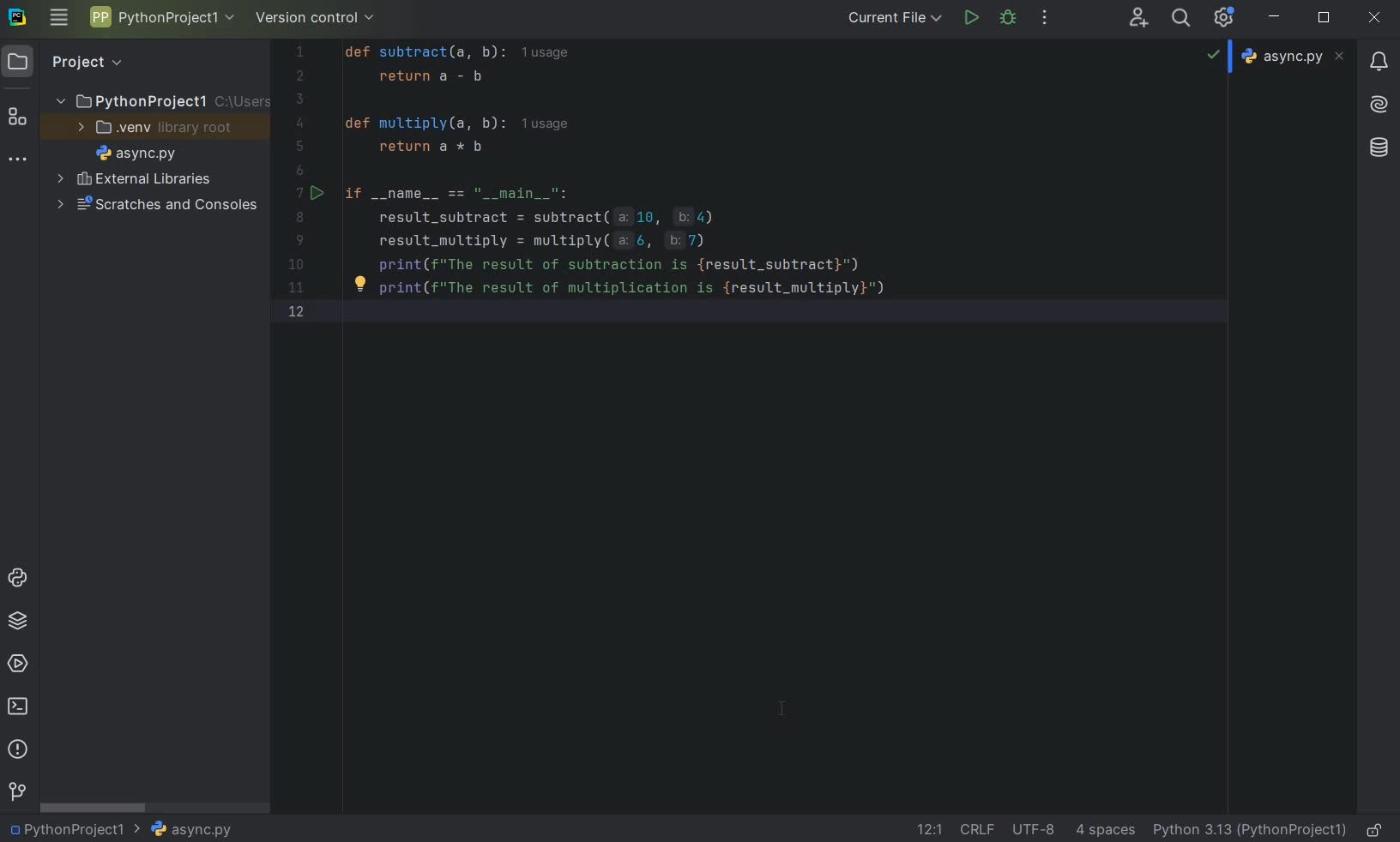  I want to click on cursor after custom toolbar setup, so click(784, 711).